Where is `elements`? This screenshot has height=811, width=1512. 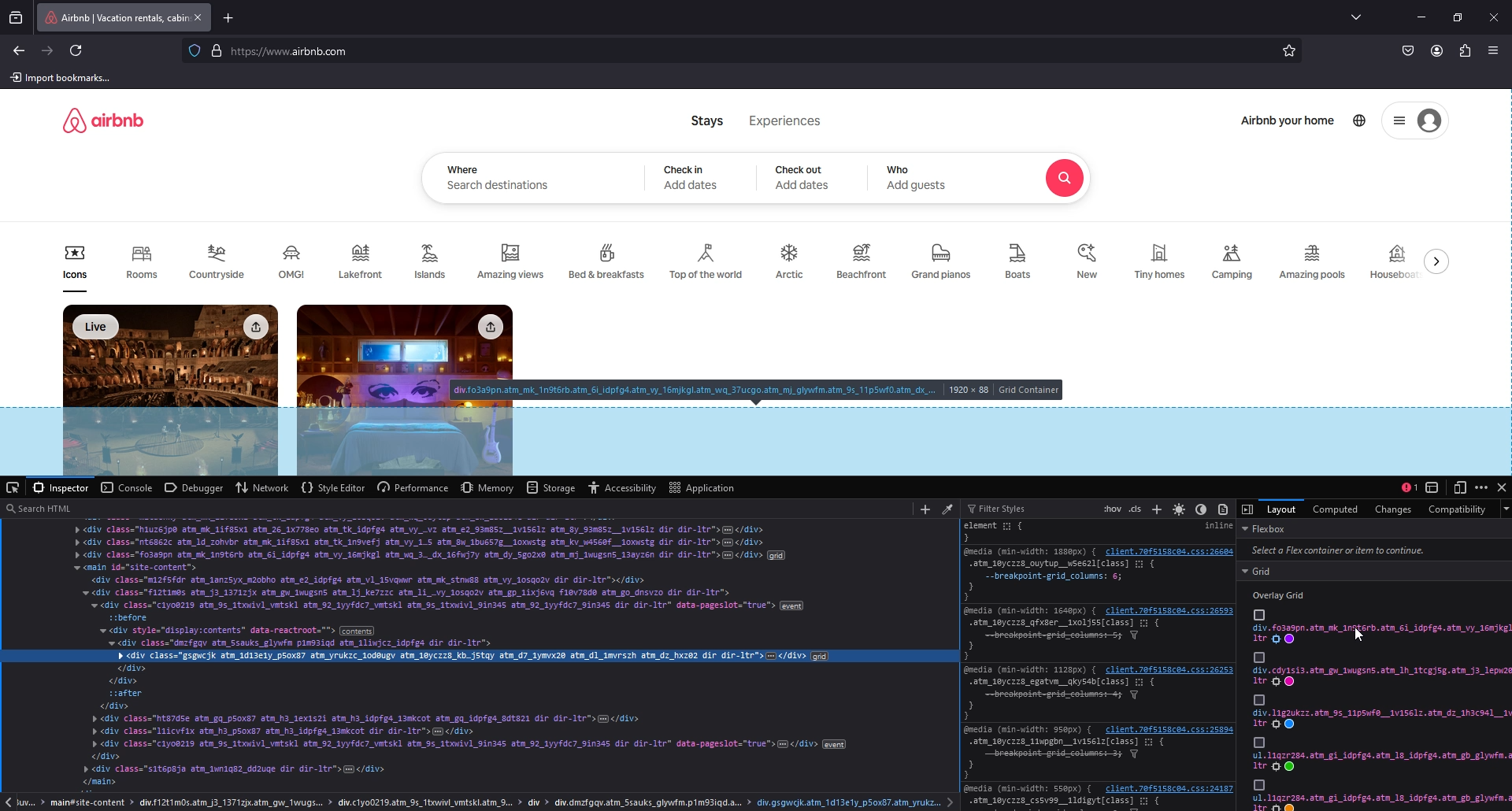 elements is located at coordinates (1063, 640).